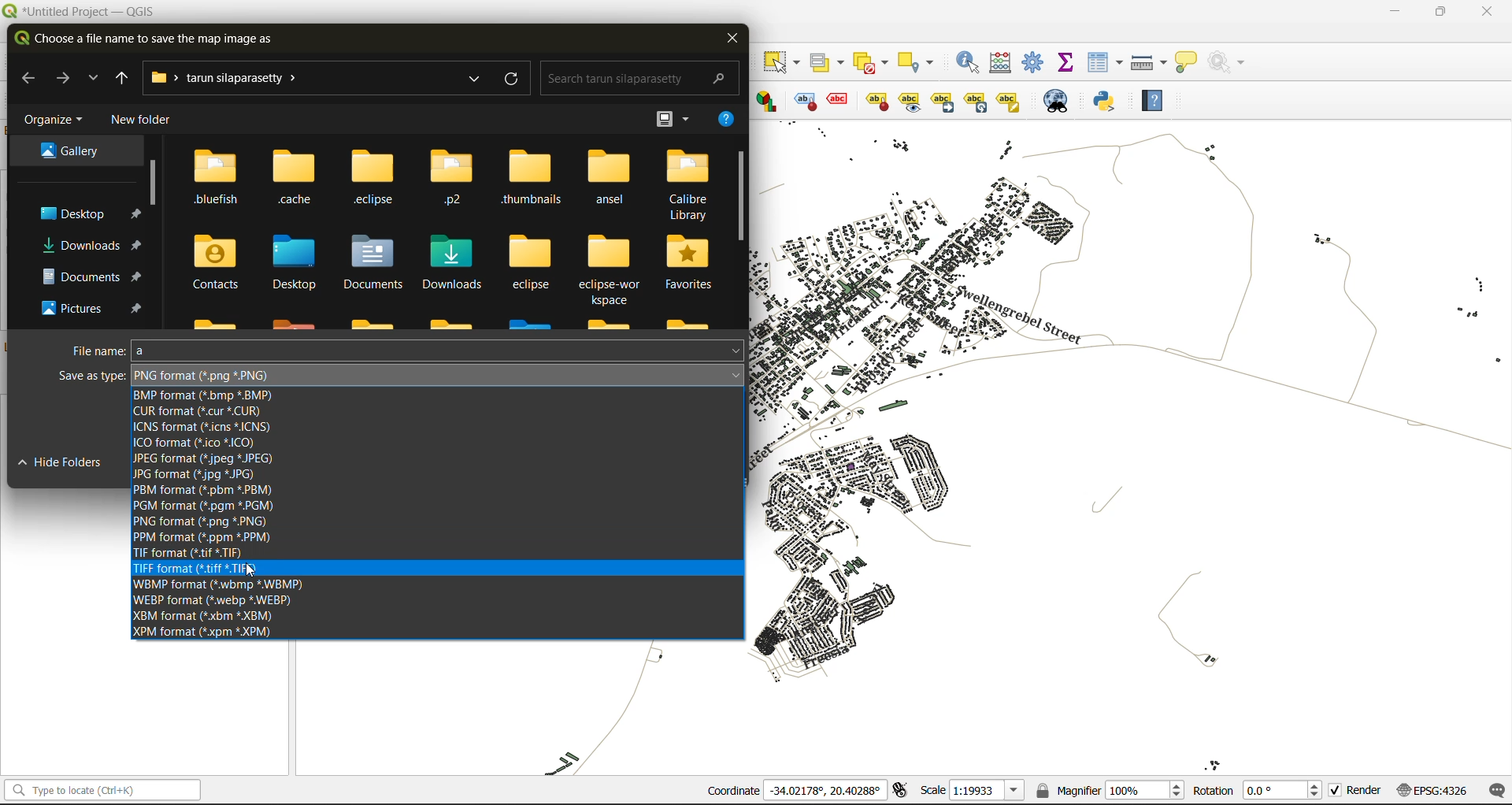  I want to click on pin/unpin lable and diagram, so click(840, 101).